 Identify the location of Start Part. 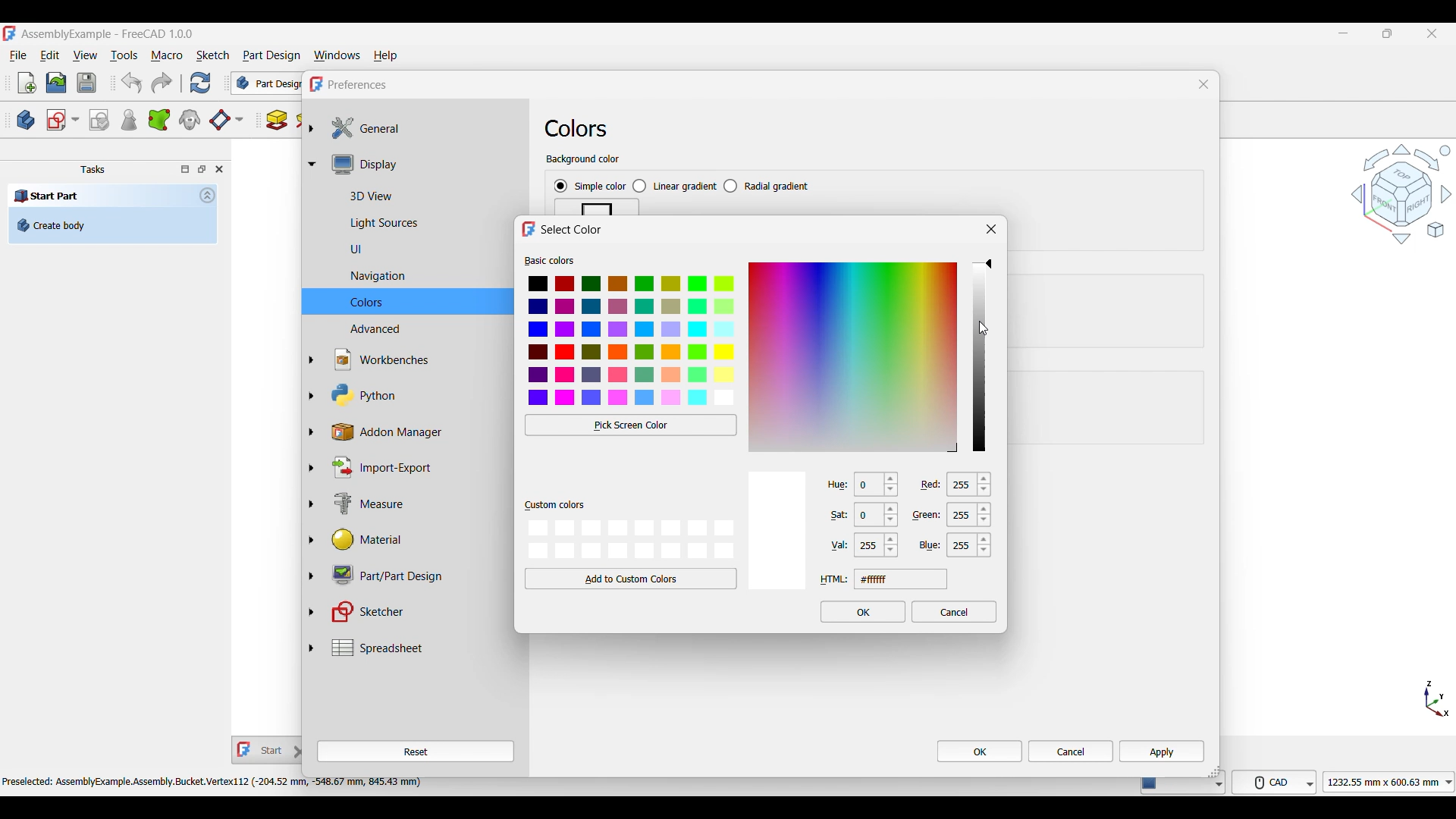
(47, 195).